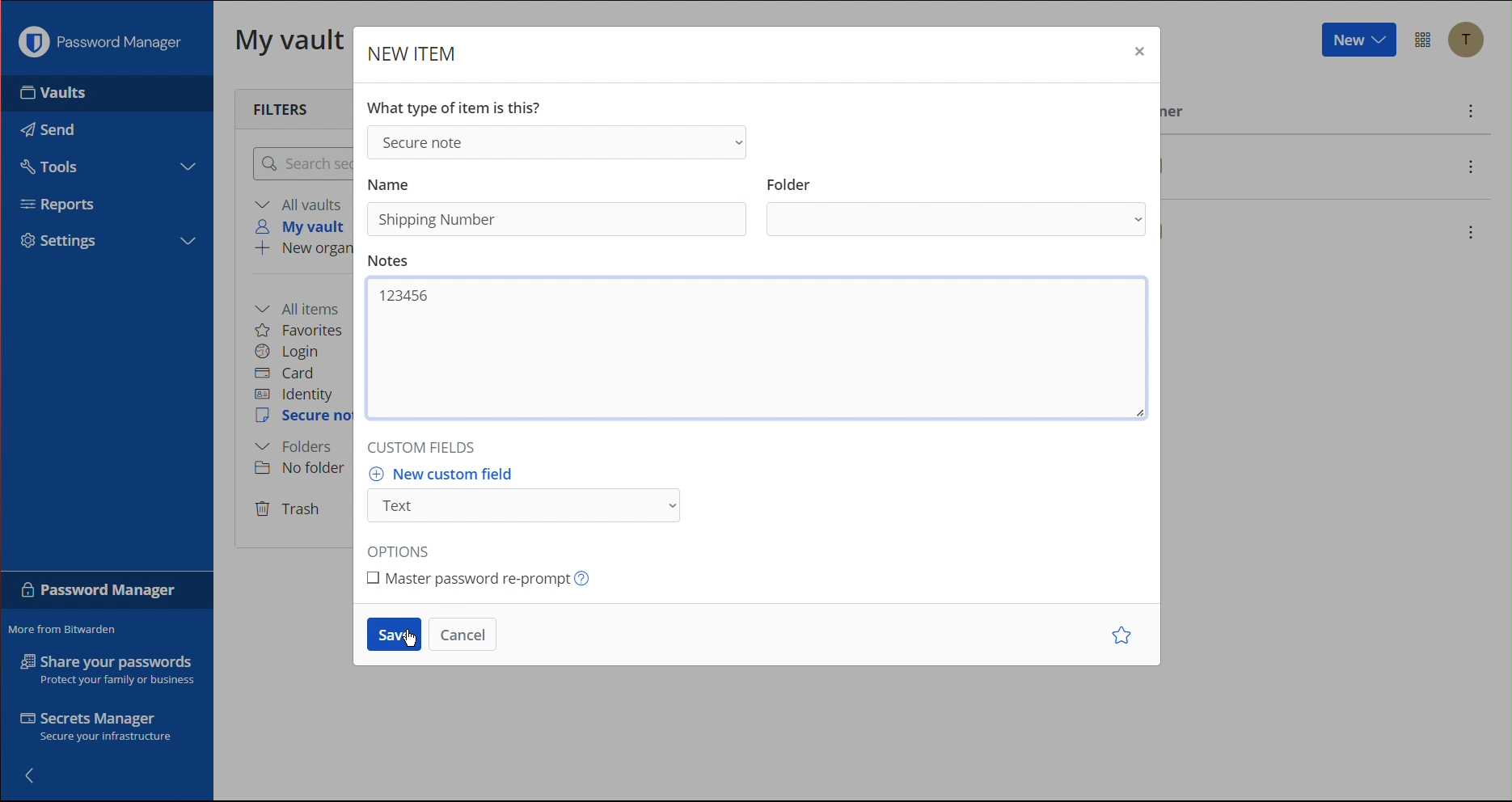 This screenshot has width=1512, height=802. Describe the element at coordinates (1138, 50) in the screenshot. I see `Close` at that location.